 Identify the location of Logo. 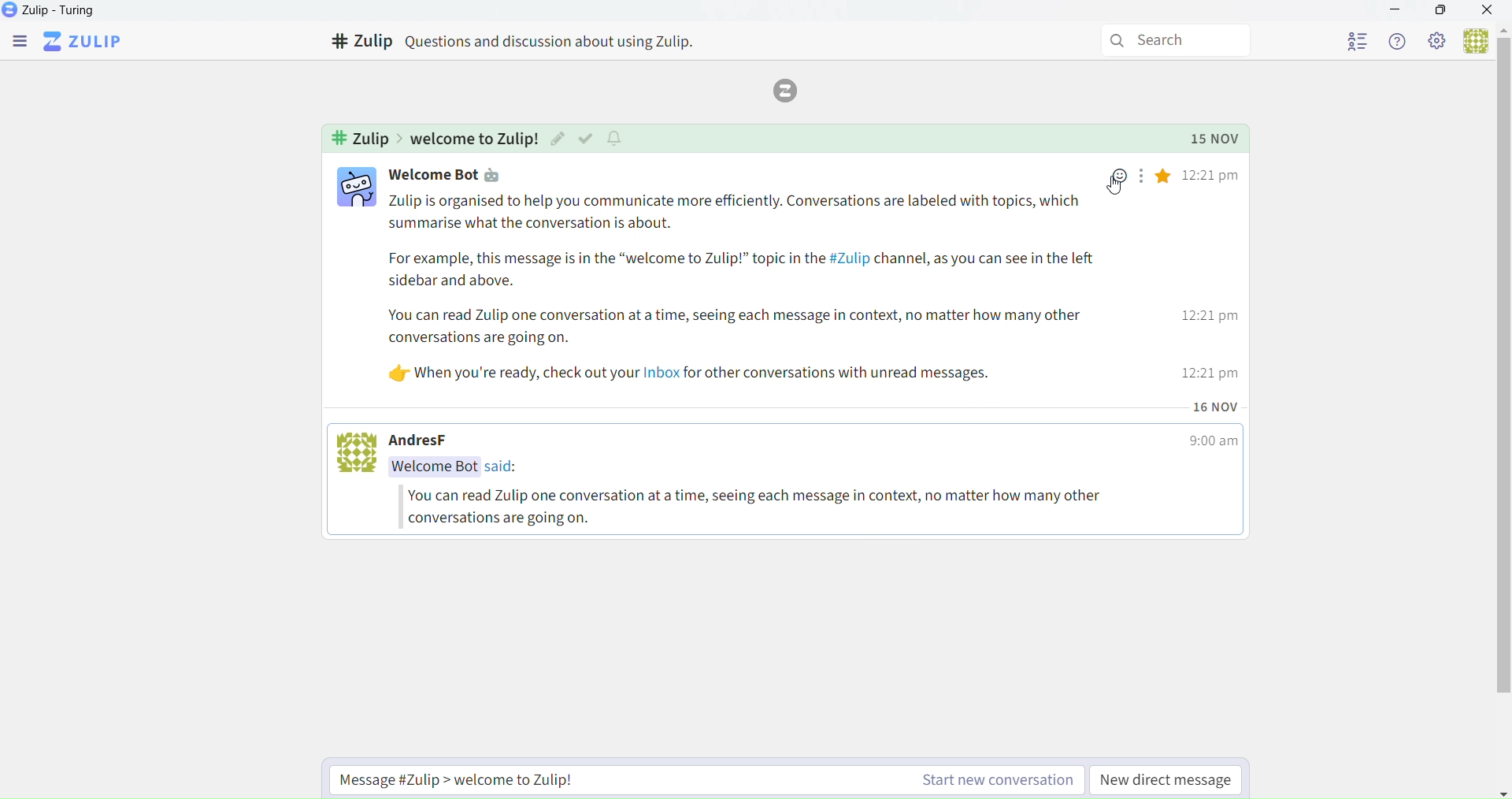
(791, 89).